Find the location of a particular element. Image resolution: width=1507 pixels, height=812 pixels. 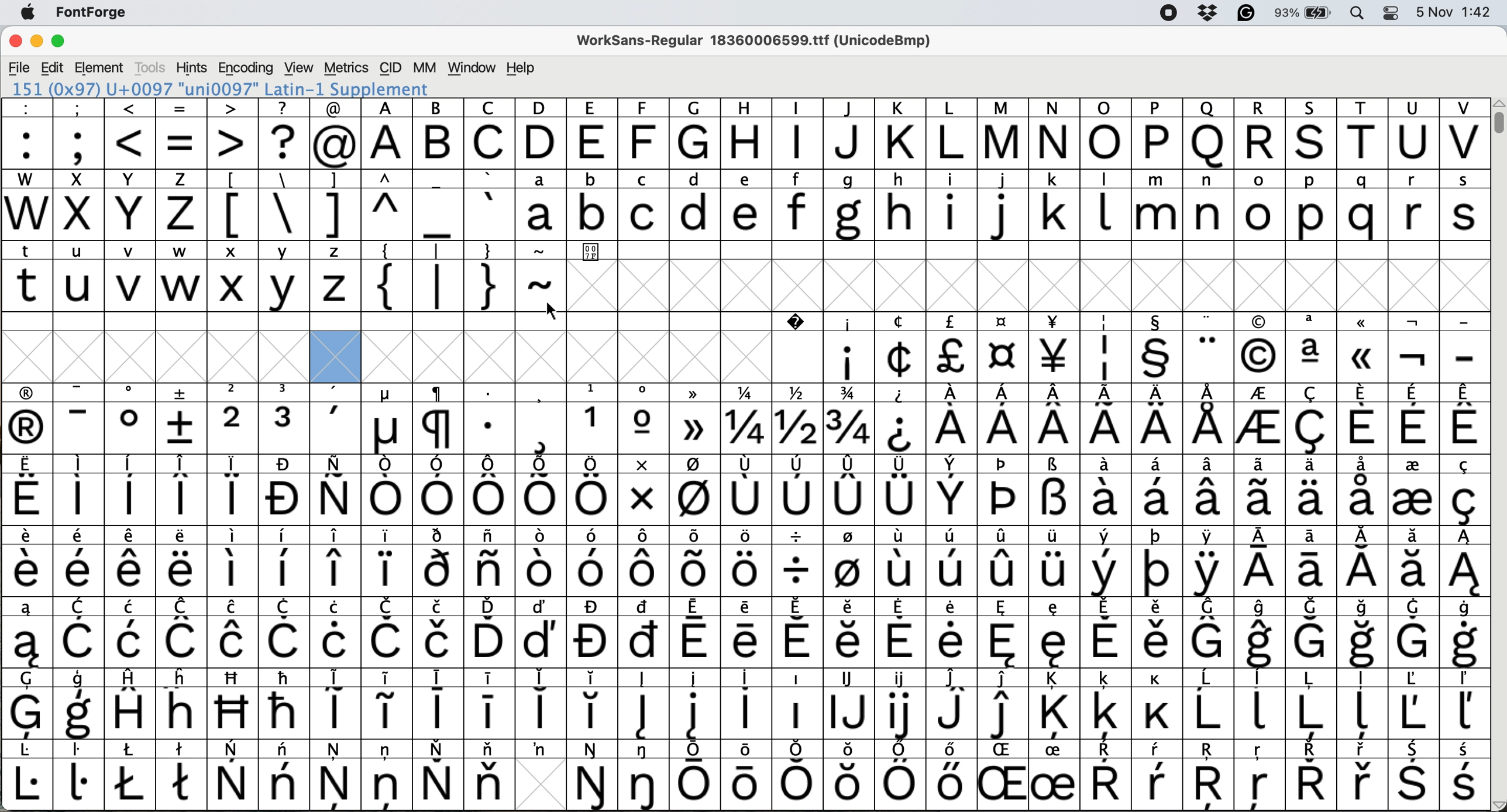

symbol is located at coordinates (1208, 562).